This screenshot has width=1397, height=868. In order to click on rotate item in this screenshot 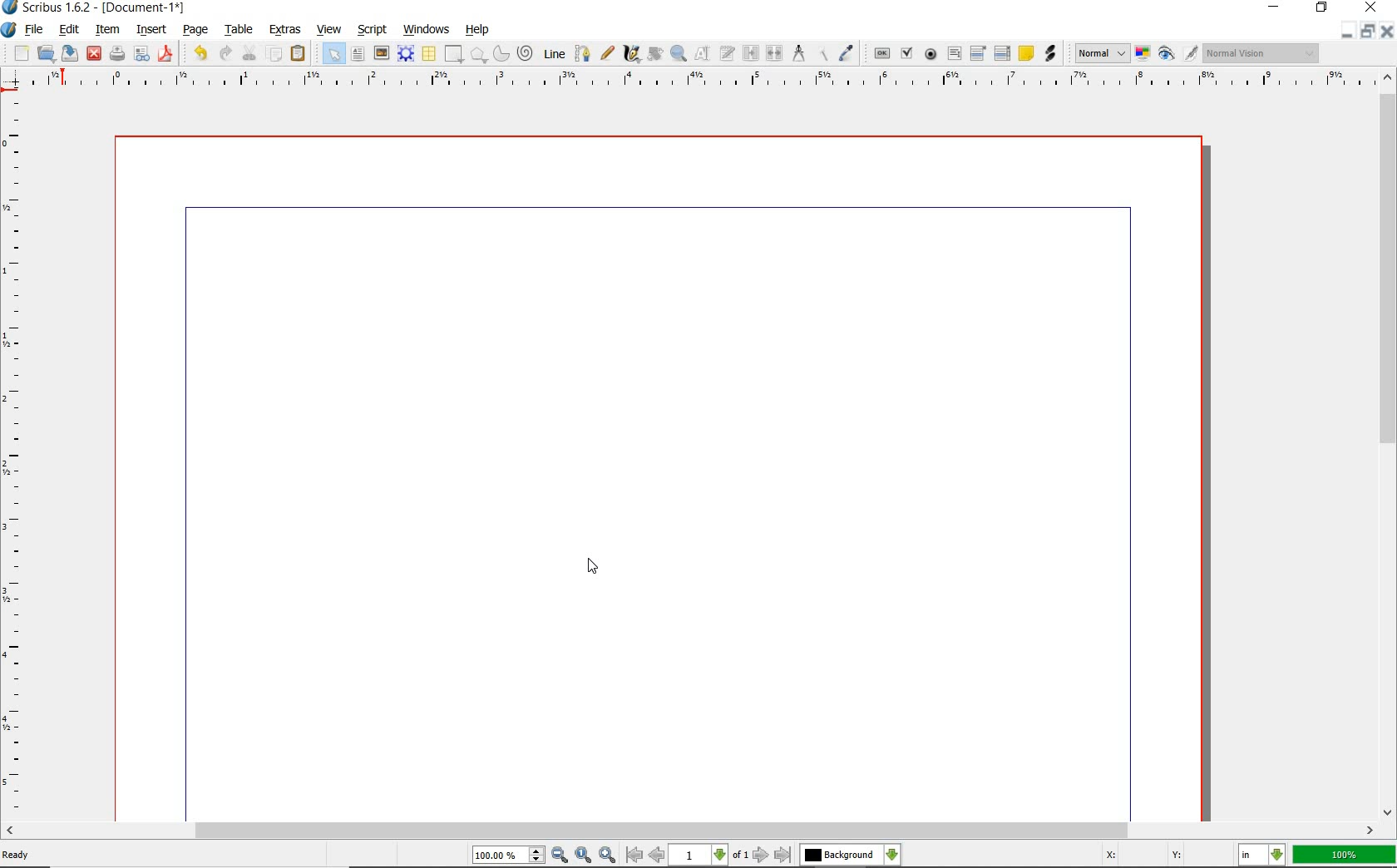, I will do `click(655, 54)`.